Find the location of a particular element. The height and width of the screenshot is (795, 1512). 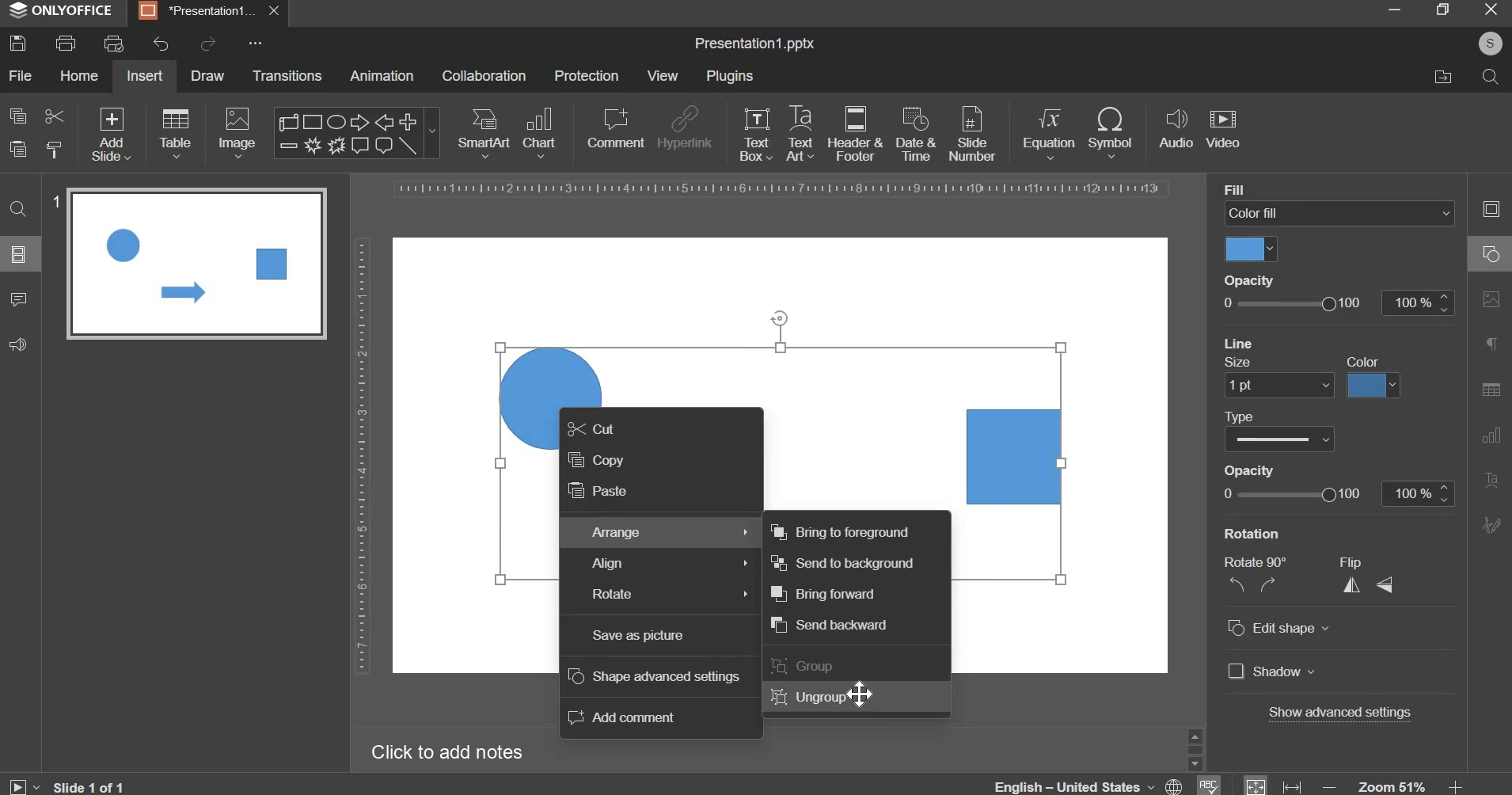

user profile is located at coordinates (1489, 44).